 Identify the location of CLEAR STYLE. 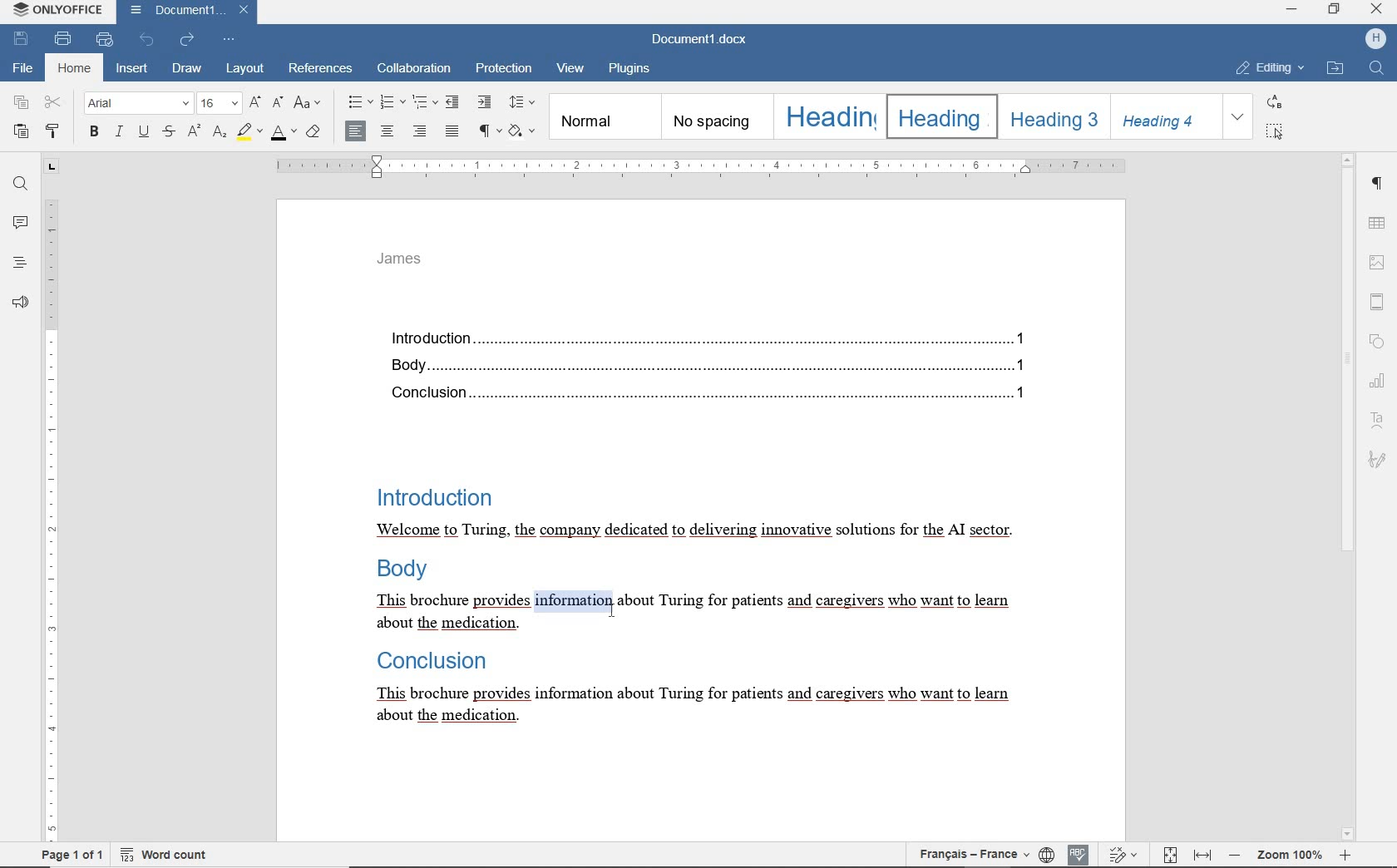
(315, 134).